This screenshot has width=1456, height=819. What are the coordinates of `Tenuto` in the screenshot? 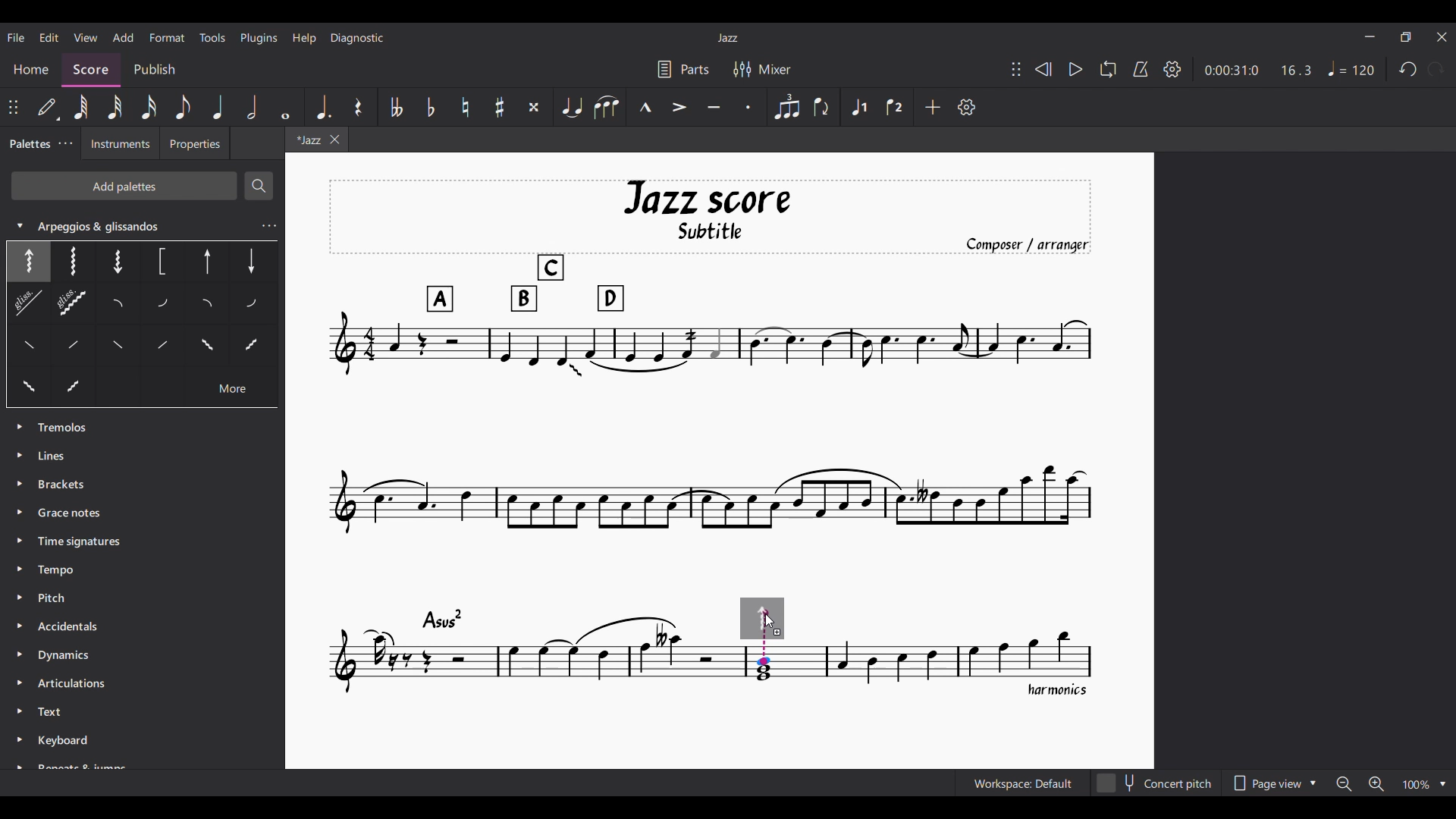 It's located at (714, 107).